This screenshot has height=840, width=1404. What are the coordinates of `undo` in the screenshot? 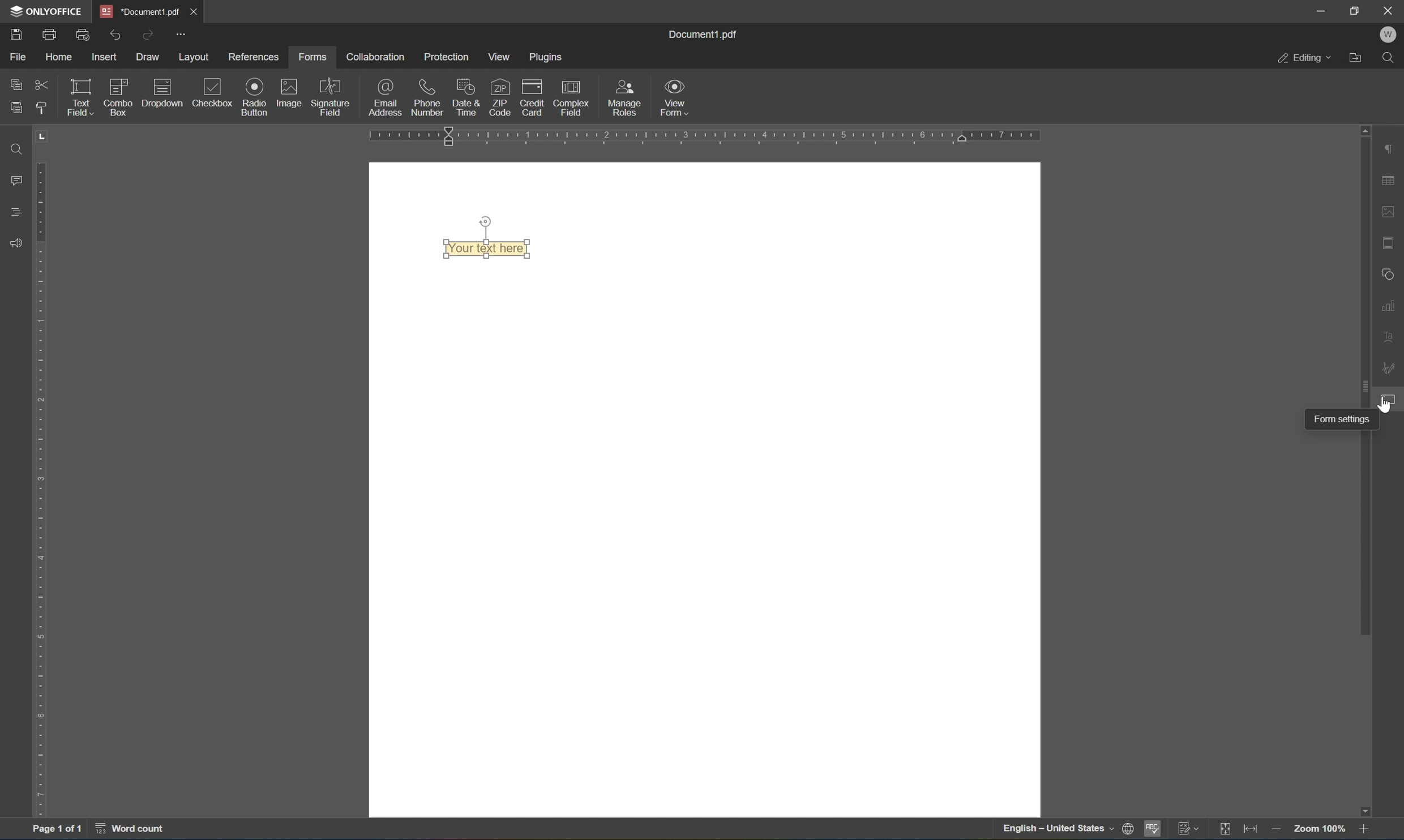 It's located at (116, 35).